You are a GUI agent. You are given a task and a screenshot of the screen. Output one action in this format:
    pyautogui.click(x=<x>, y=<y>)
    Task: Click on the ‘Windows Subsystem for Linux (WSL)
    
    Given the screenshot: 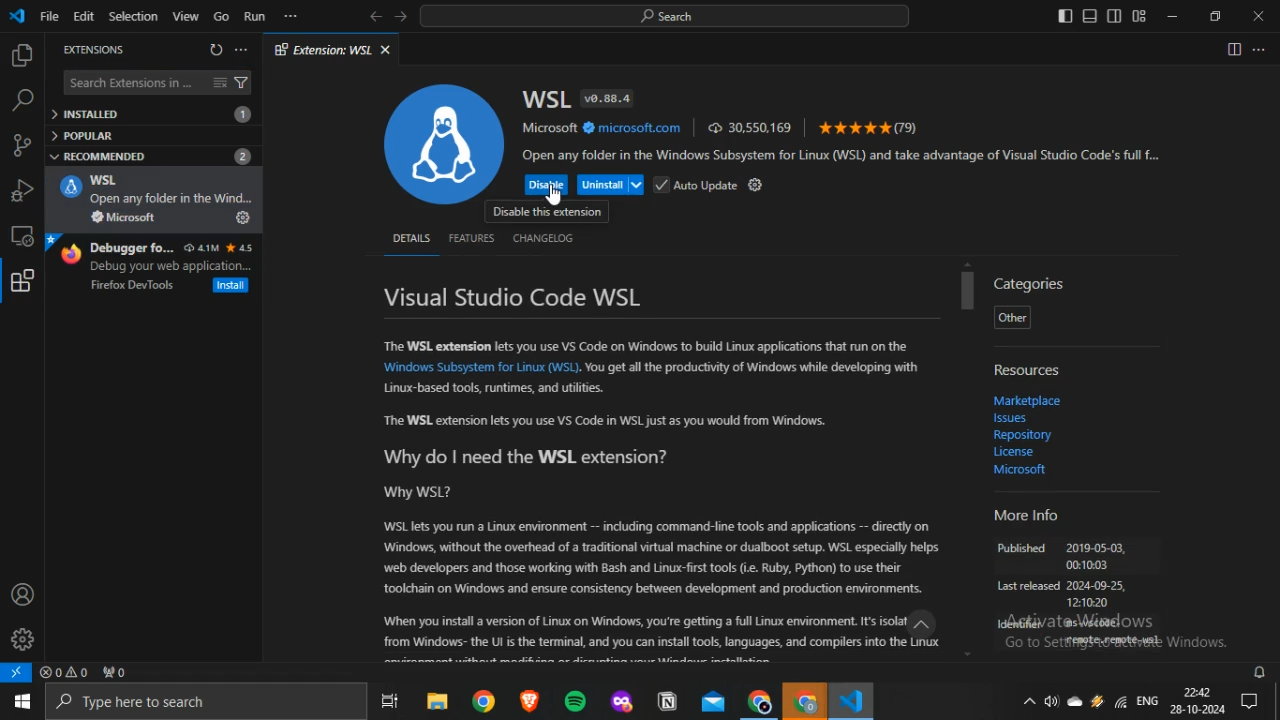 What is the action you would take?
    pyautogui.click(x=479, y=368)
    